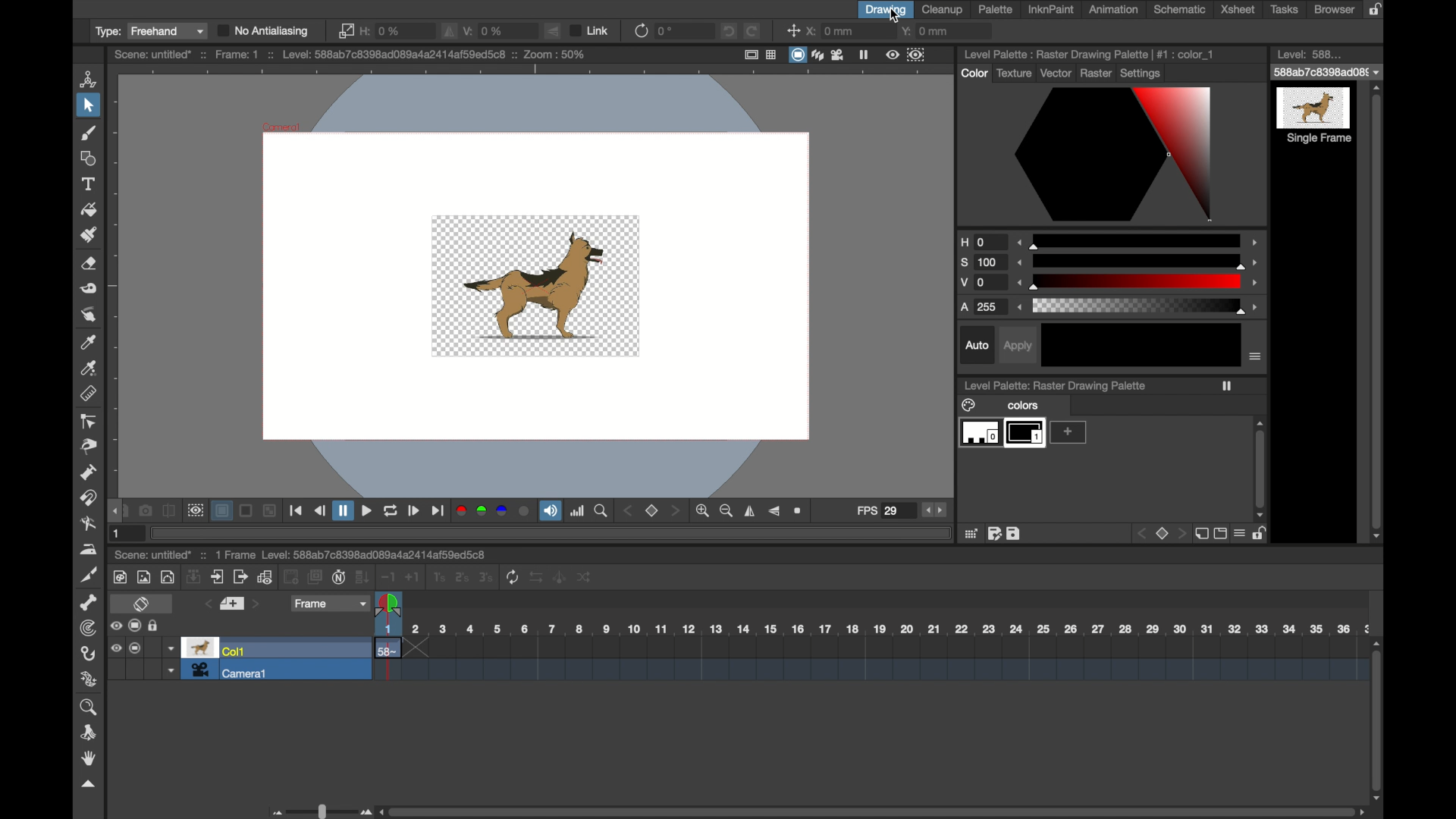 This screenshot has height=819, width=1456. I want to click on menu, so click(1260, 357).